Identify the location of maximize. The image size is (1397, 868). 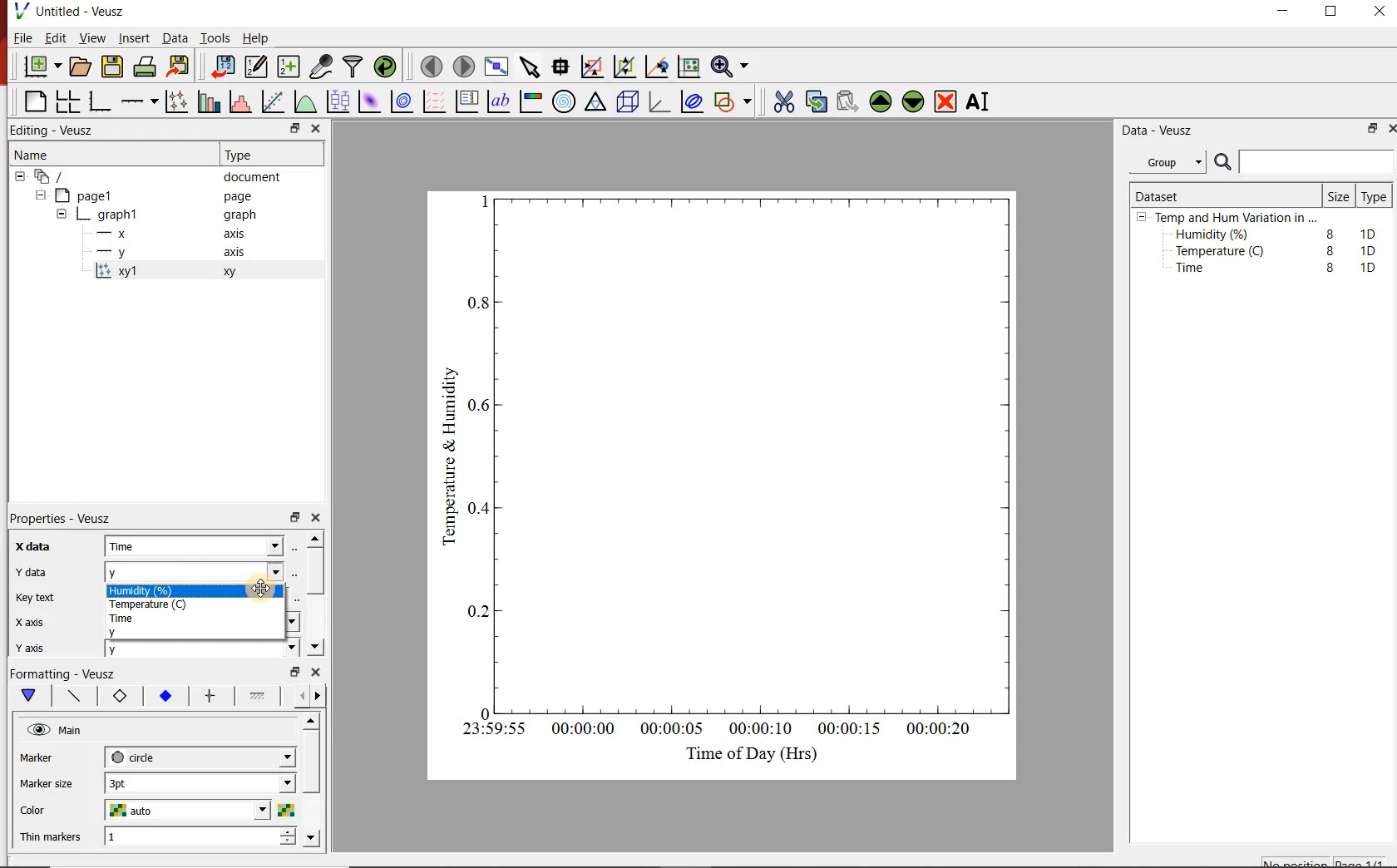
(1340, 12).